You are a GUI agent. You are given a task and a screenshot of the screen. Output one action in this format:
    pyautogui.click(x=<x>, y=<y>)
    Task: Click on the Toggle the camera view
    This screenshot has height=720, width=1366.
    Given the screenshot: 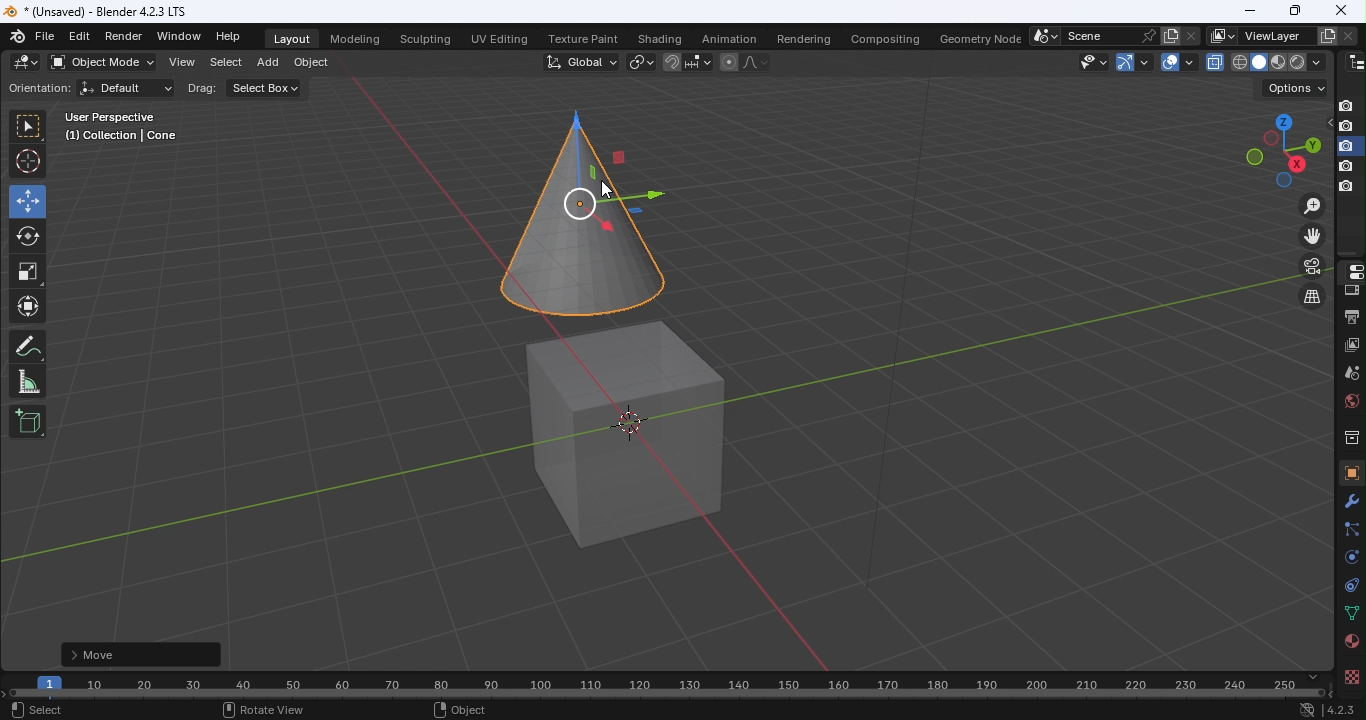 What is the action you would take?
    pyautogui.click(x=1314, y=266)
    